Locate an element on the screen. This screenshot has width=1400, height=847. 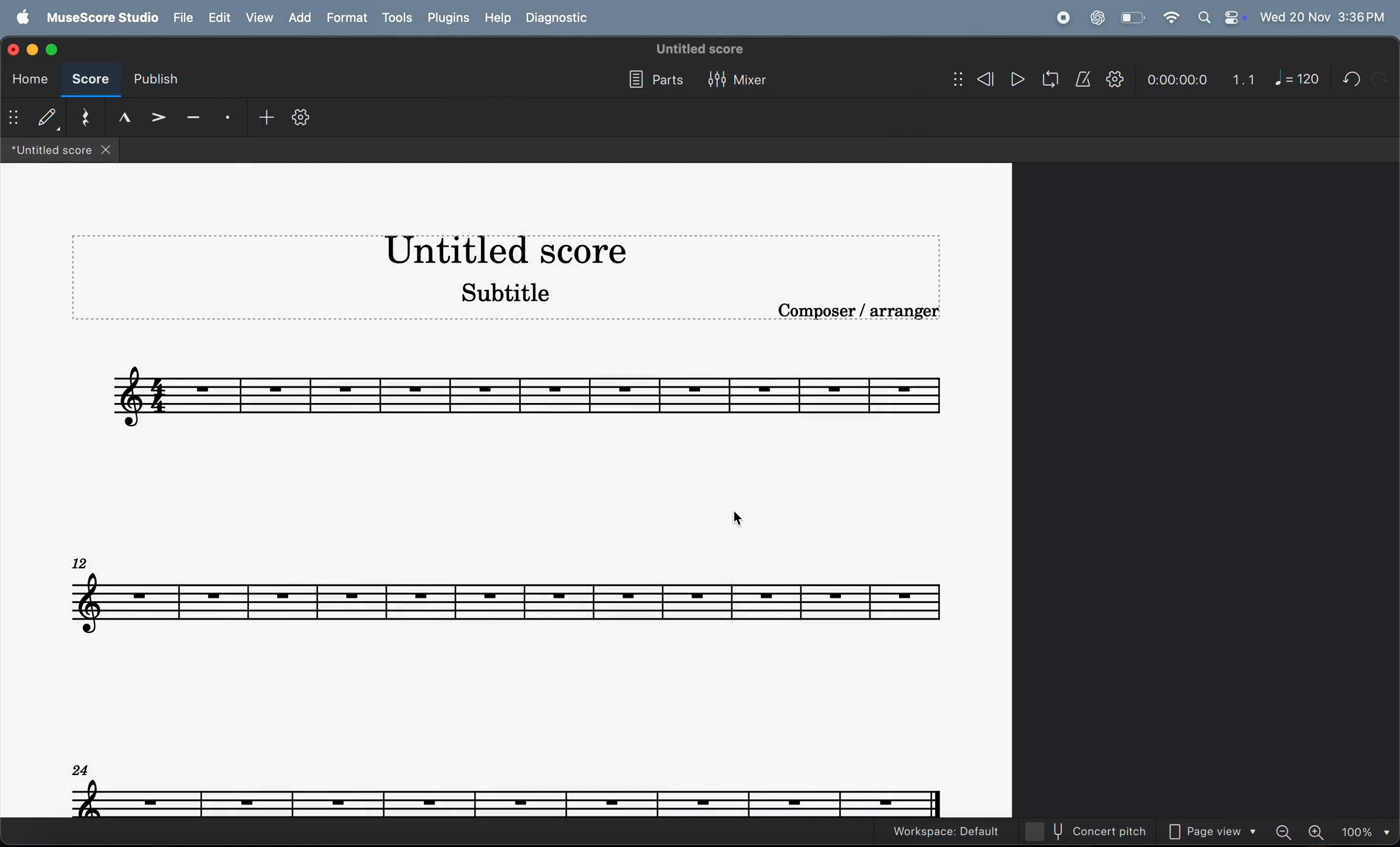
publish is located at coordinates (153, 82).